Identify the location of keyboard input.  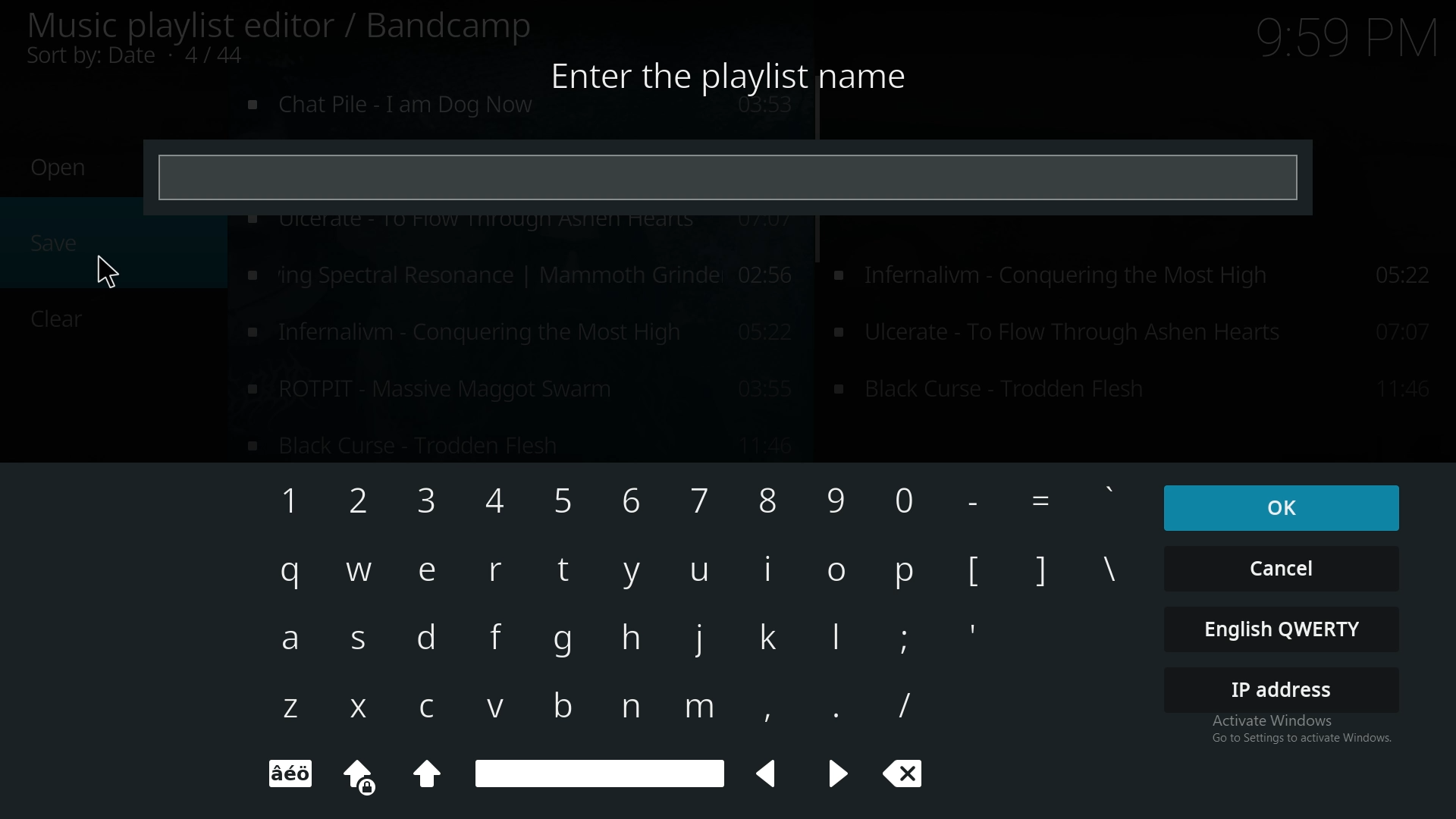
(362, 705).